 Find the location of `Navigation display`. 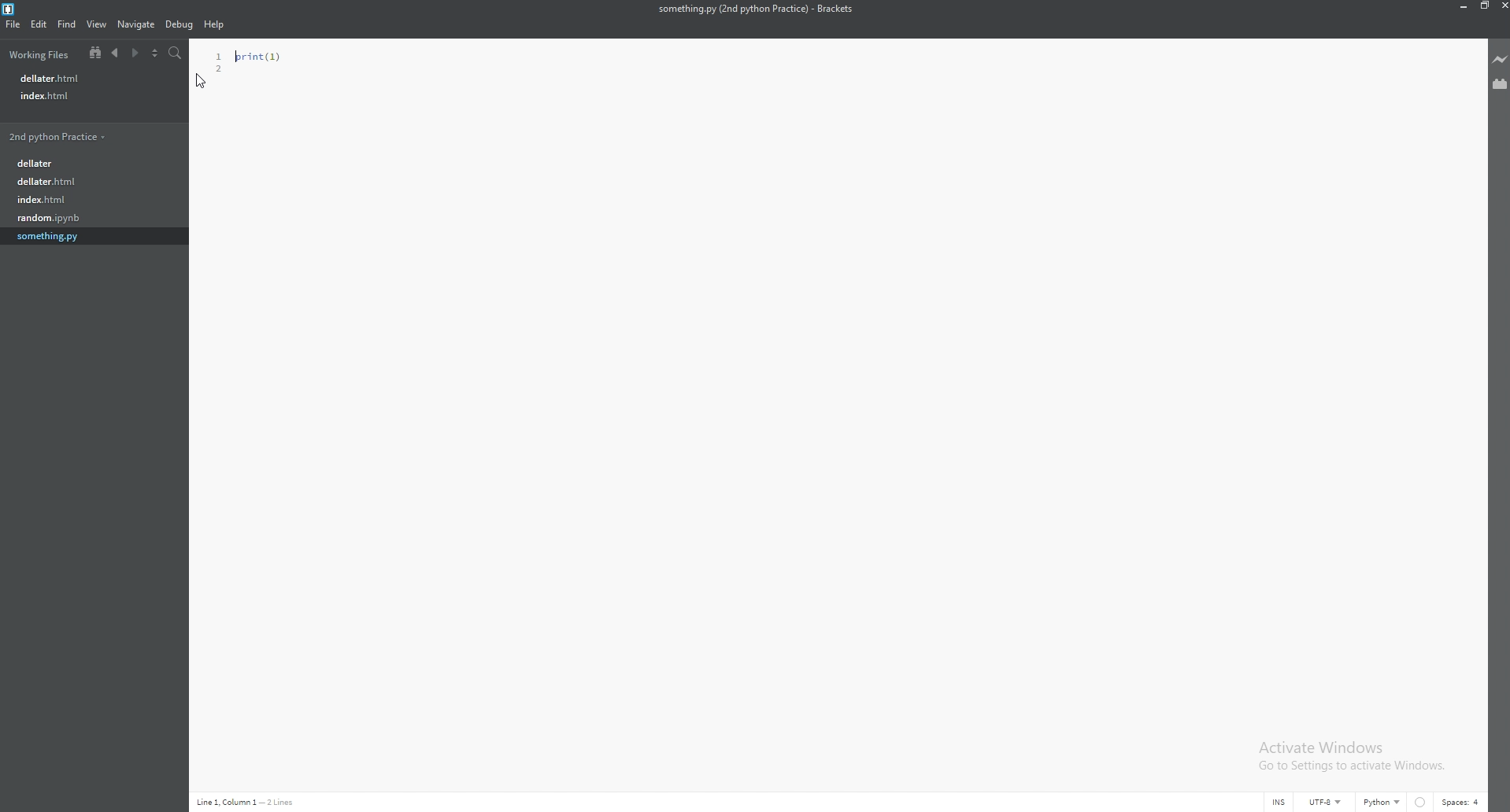

Navigation display is located at coordinates (250, 802).